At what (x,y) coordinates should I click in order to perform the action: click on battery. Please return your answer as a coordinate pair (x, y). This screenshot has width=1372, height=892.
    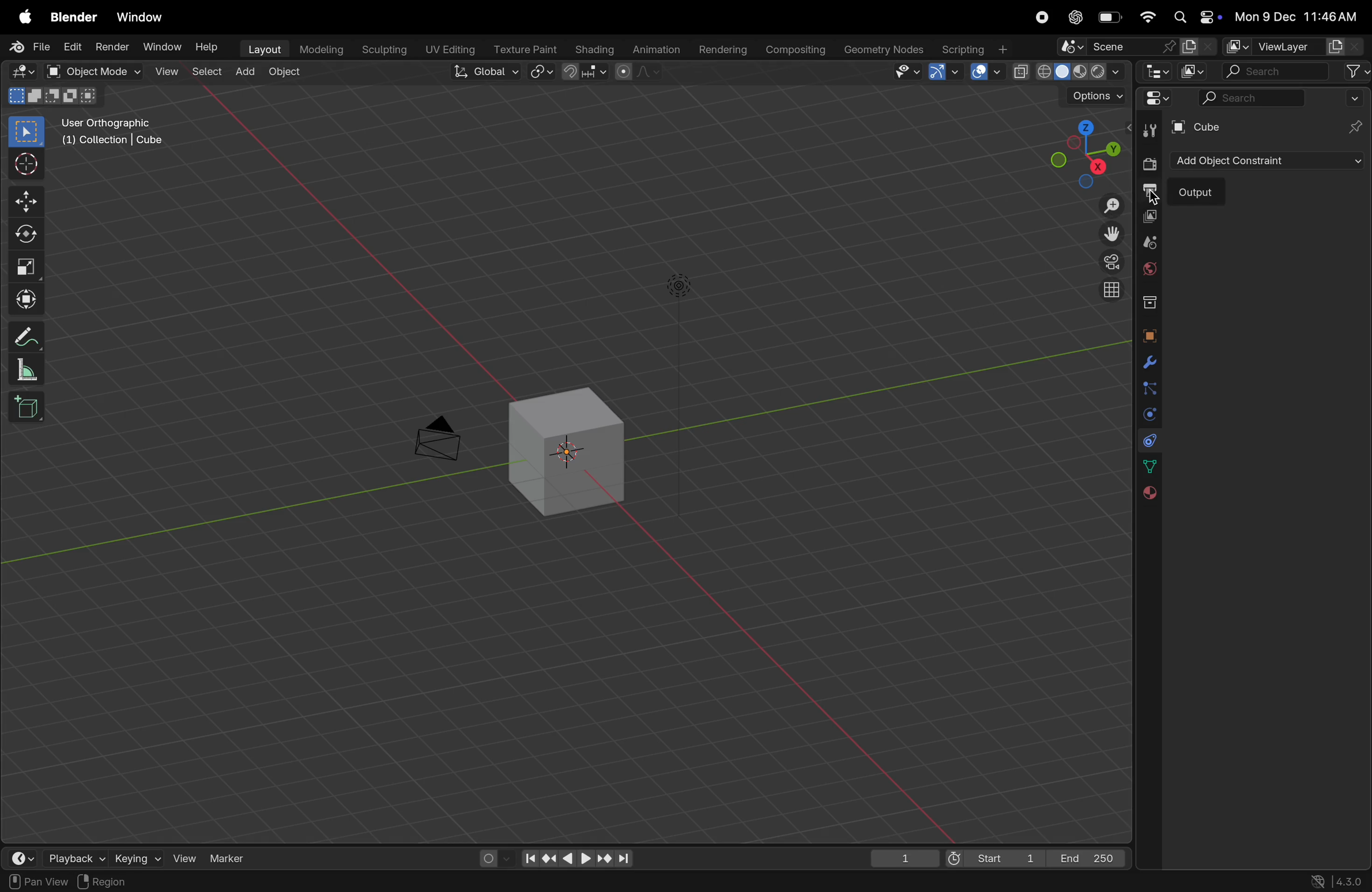
    Looking at the image, I should click on (1106, 18).